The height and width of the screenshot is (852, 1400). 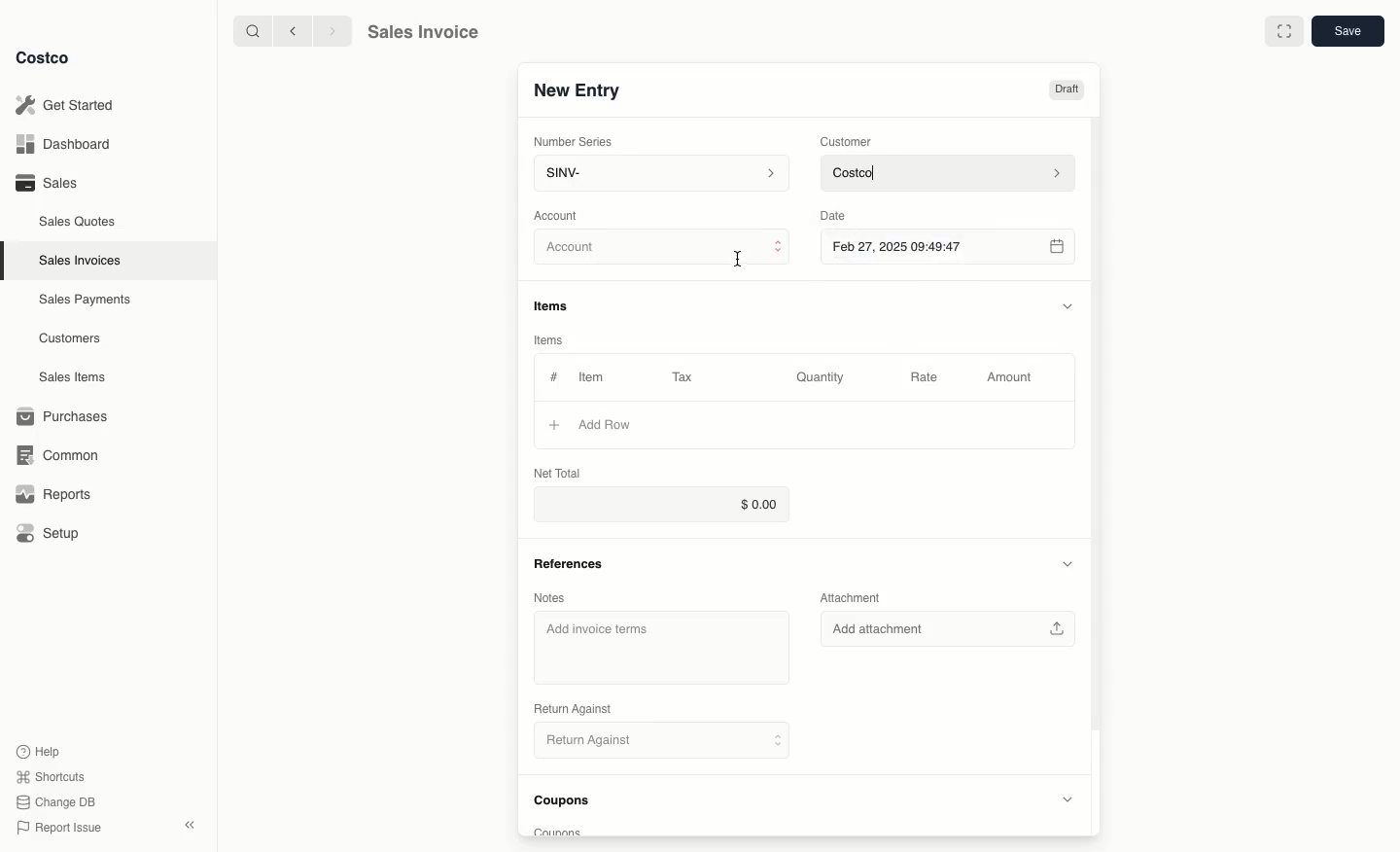 I want to click on ‘Add Row, so click(x=608, y=424).